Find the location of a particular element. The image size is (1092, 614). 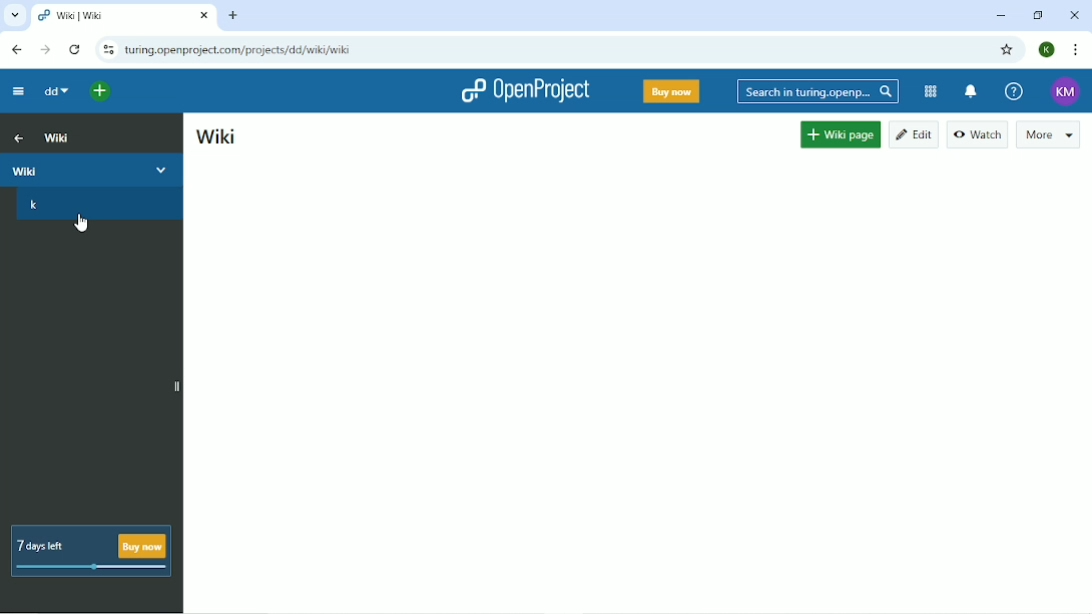

Edit is located at coordinates (913, 135).